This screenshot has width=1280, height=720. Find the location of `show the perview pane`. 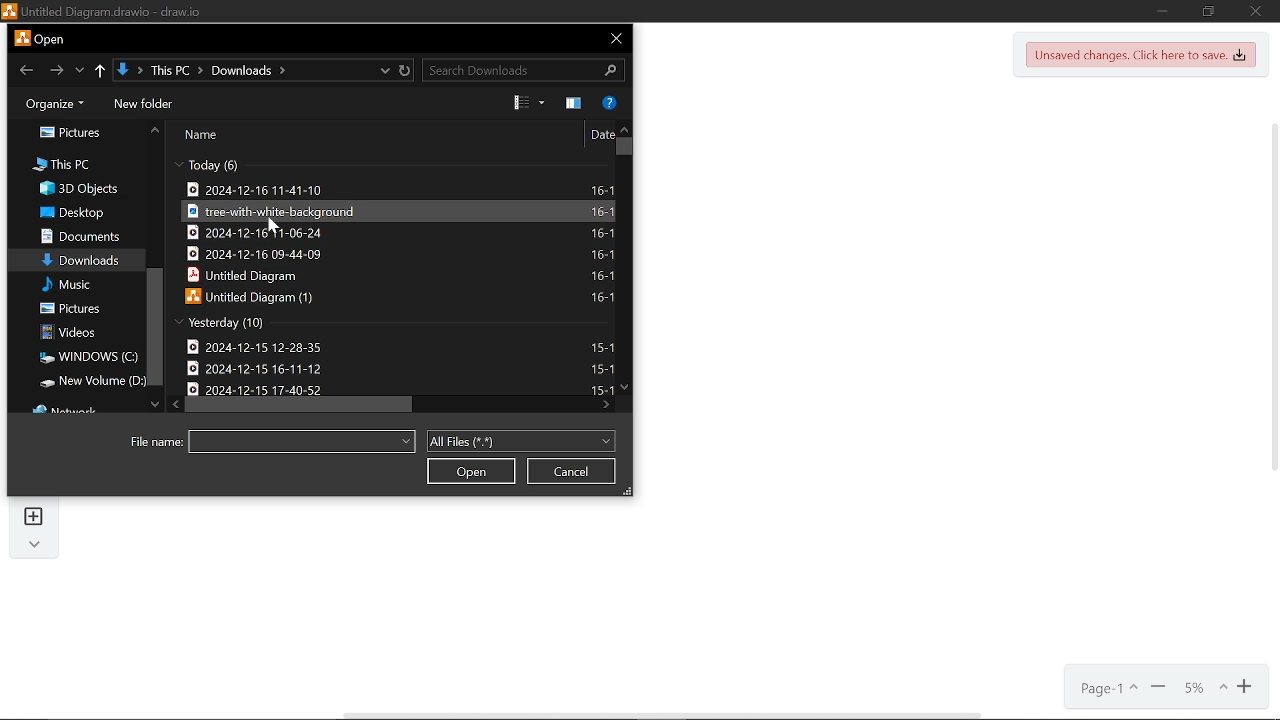

show the perview pane is located at coordinates (574, 104).